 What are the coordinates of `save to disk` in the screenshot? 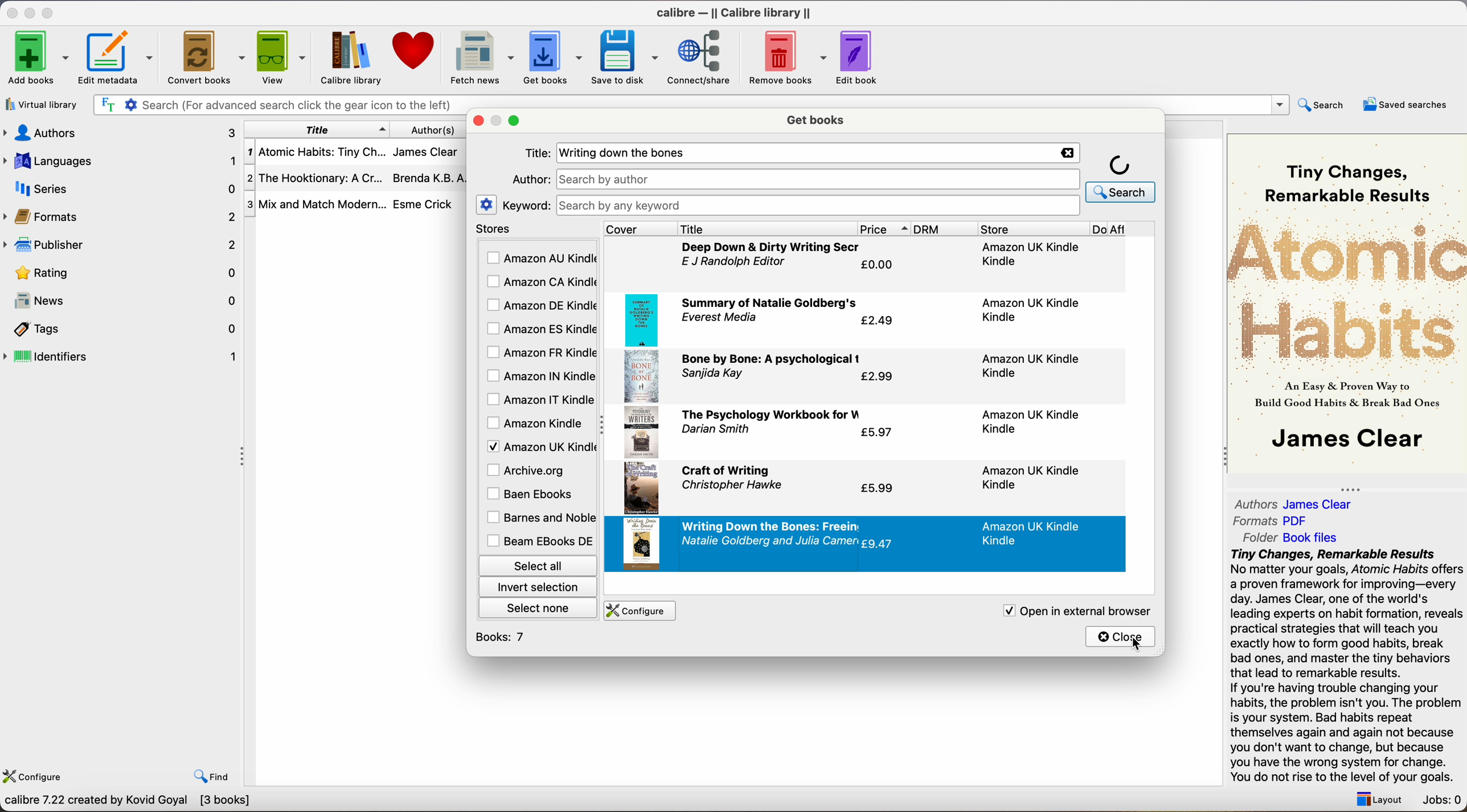 It's located at (625, 58).